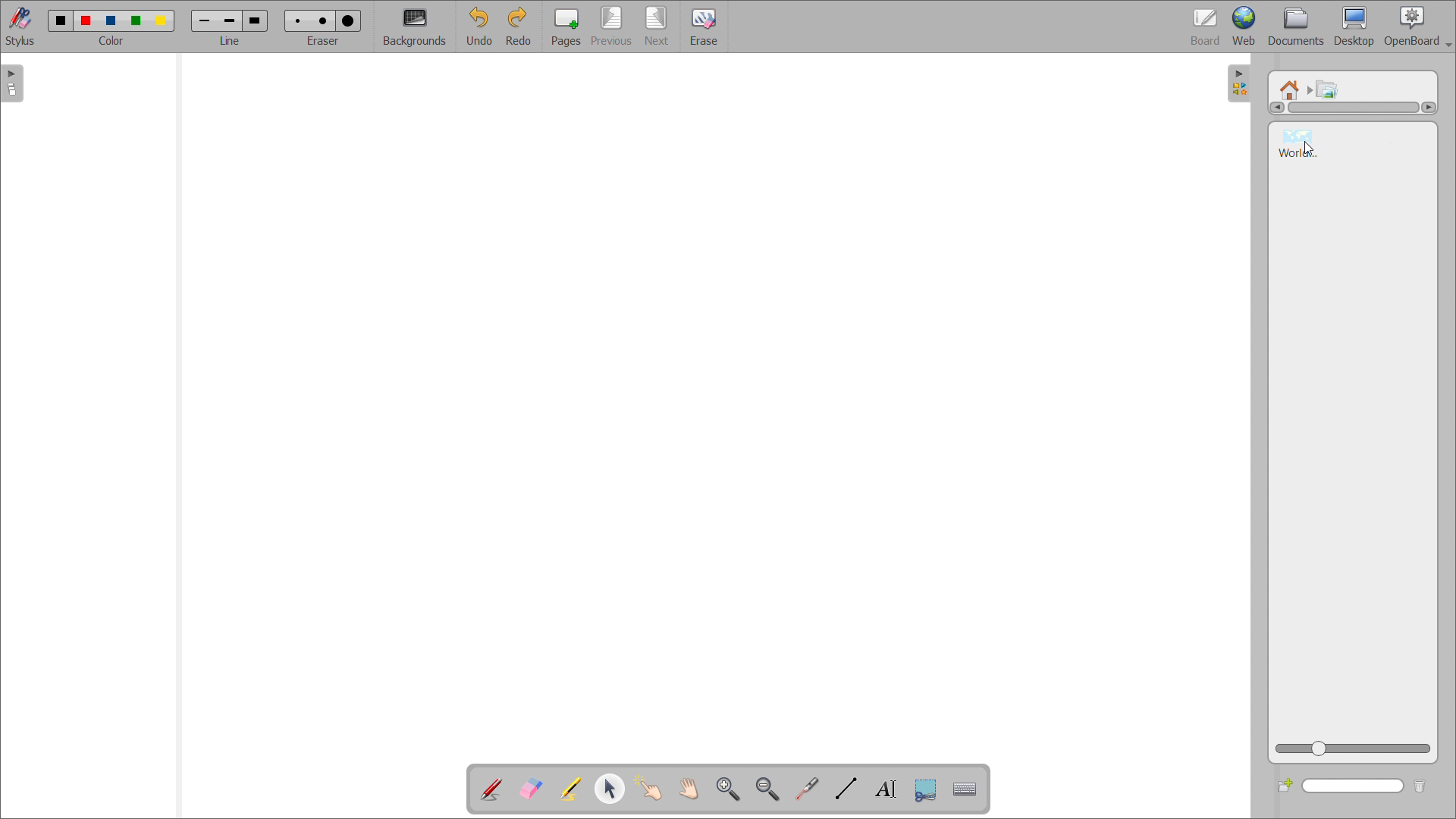  What do you see at coordinates (479, 26) in the screenshot?
I see `undo` at bounding box center [479, 26].